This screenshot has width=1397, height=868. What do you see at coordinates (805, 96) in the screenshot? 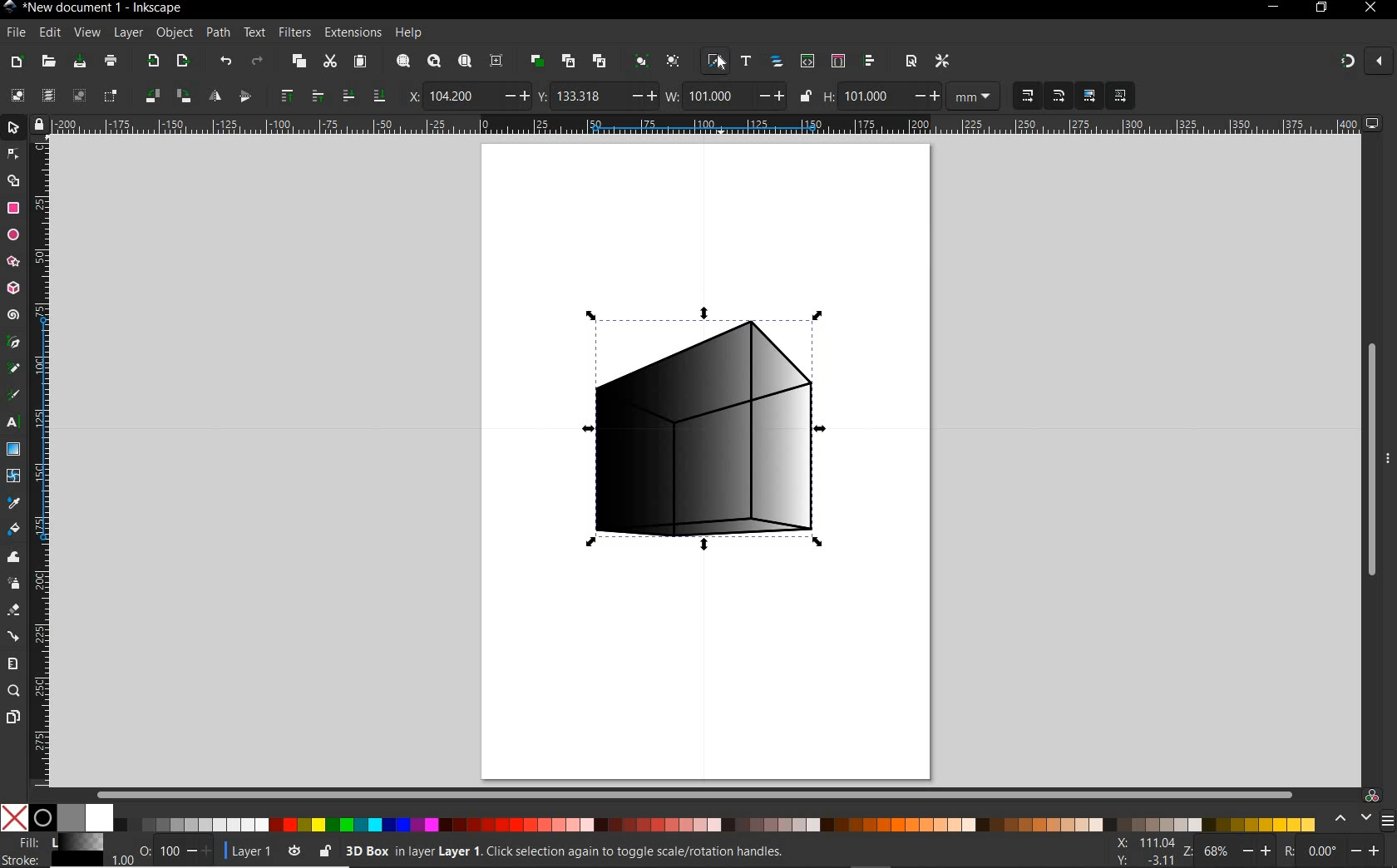
I see `LOCK/UNLOCK WIDTH AND HEIGHT` at bounding box center [805, 96].